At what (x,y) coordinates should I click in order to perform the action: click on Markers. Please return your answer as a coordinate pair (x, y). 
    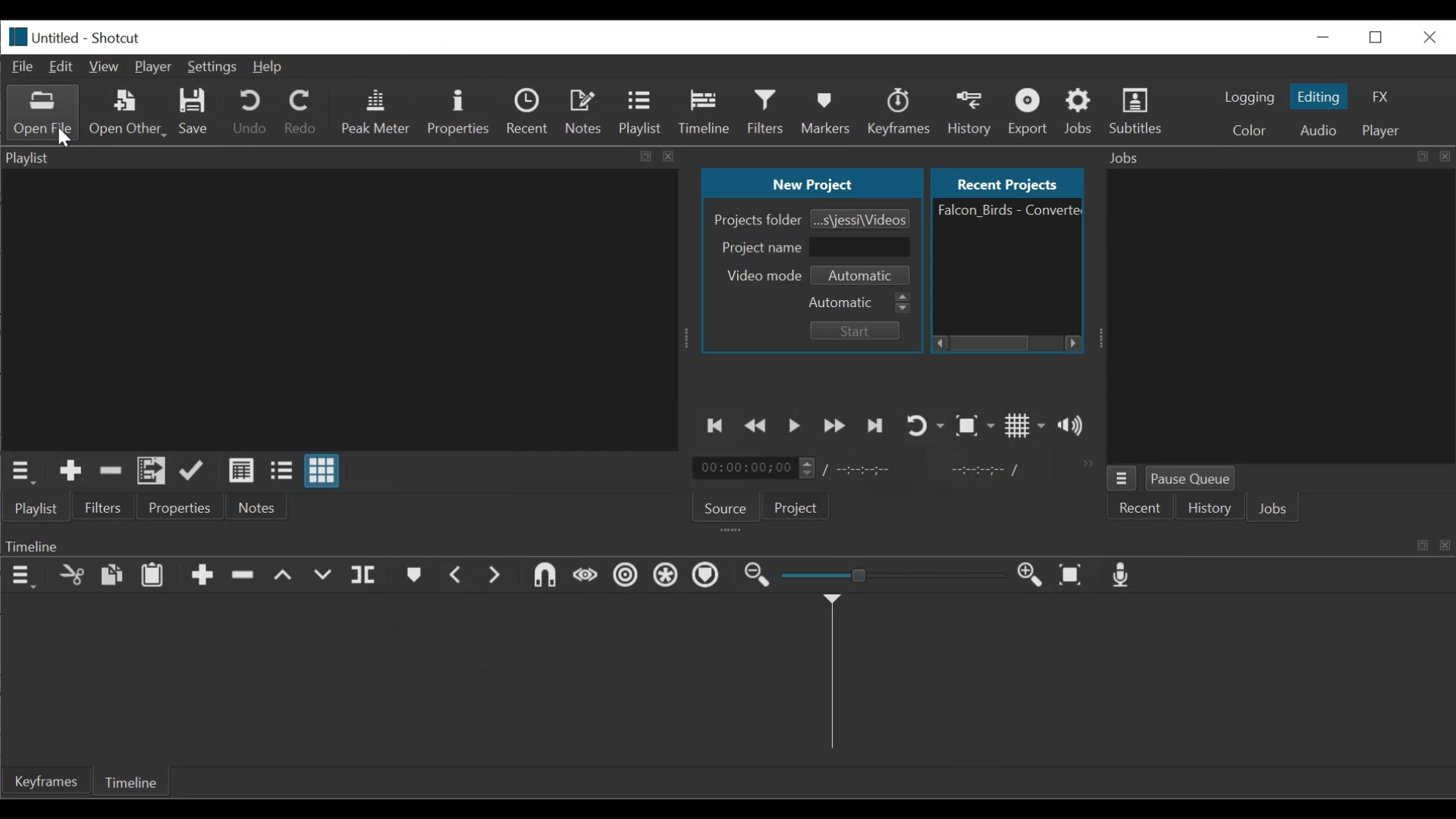
    Looking at the image, I should click on (826, 114).